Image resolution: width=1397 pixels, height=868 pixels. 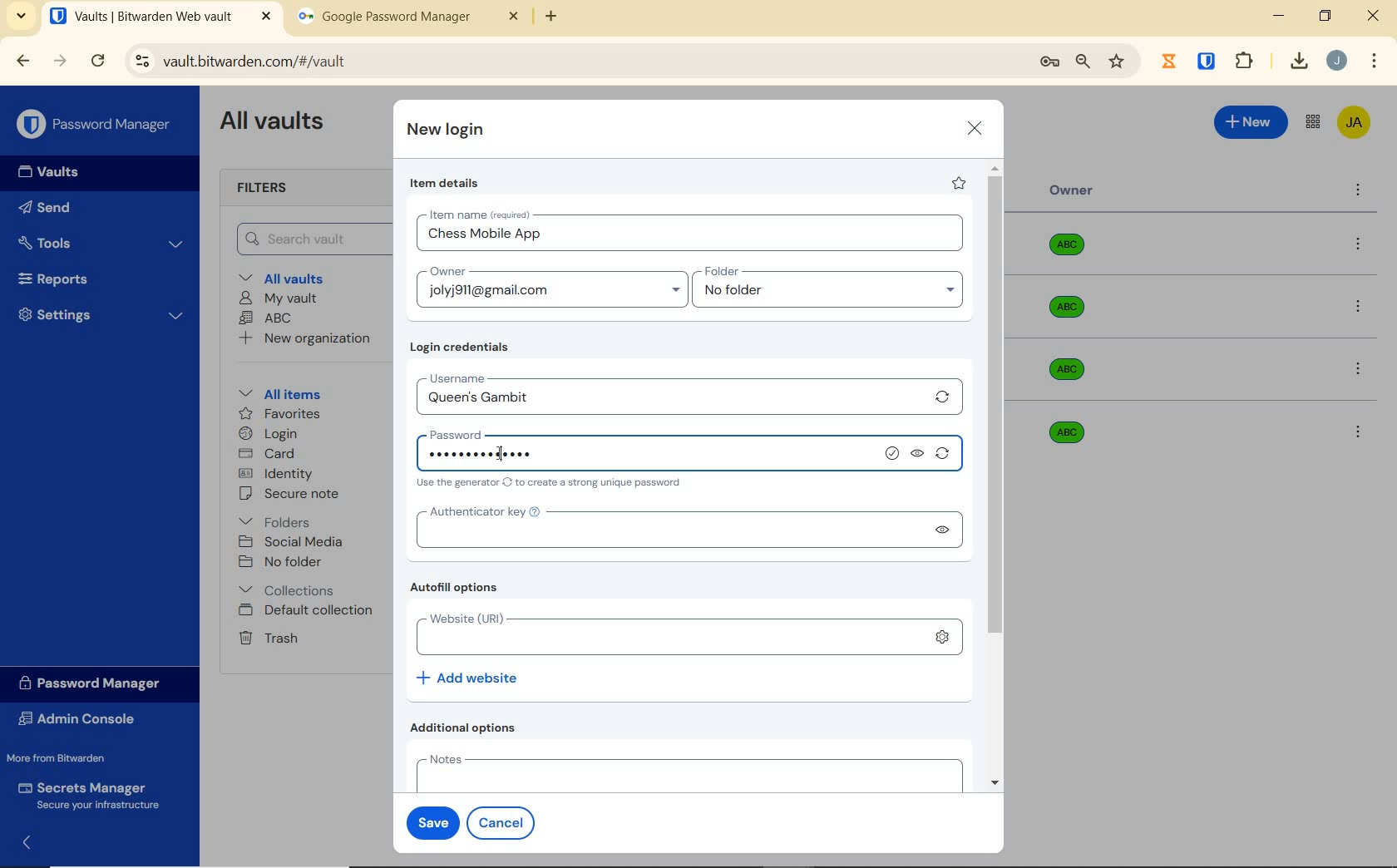 What do you see at coordinates (266, 455) in the screenshot?
I see `card` at bounding box center [266, 455].